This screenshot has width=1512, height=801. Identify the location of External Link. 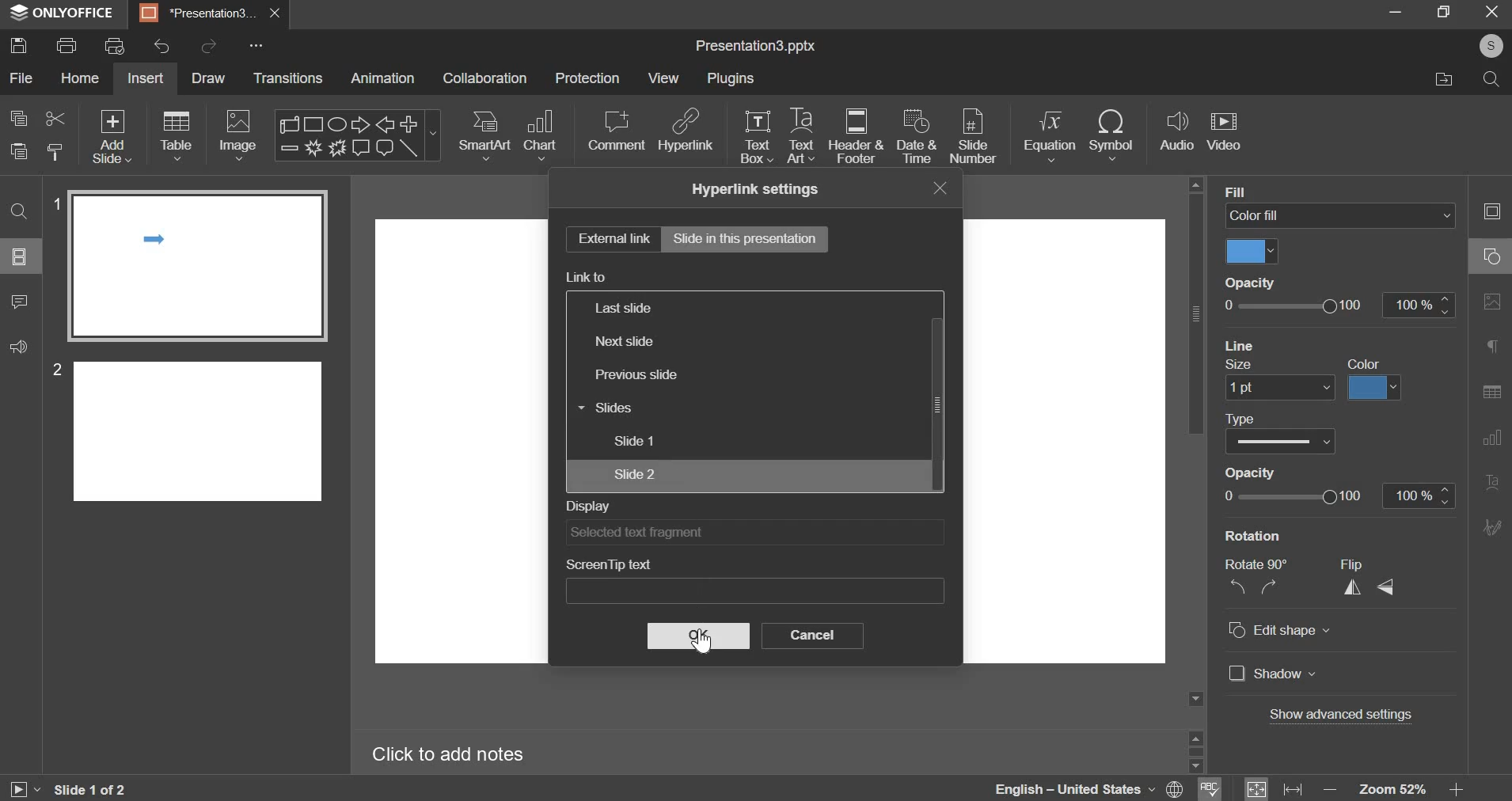
(610, 239).